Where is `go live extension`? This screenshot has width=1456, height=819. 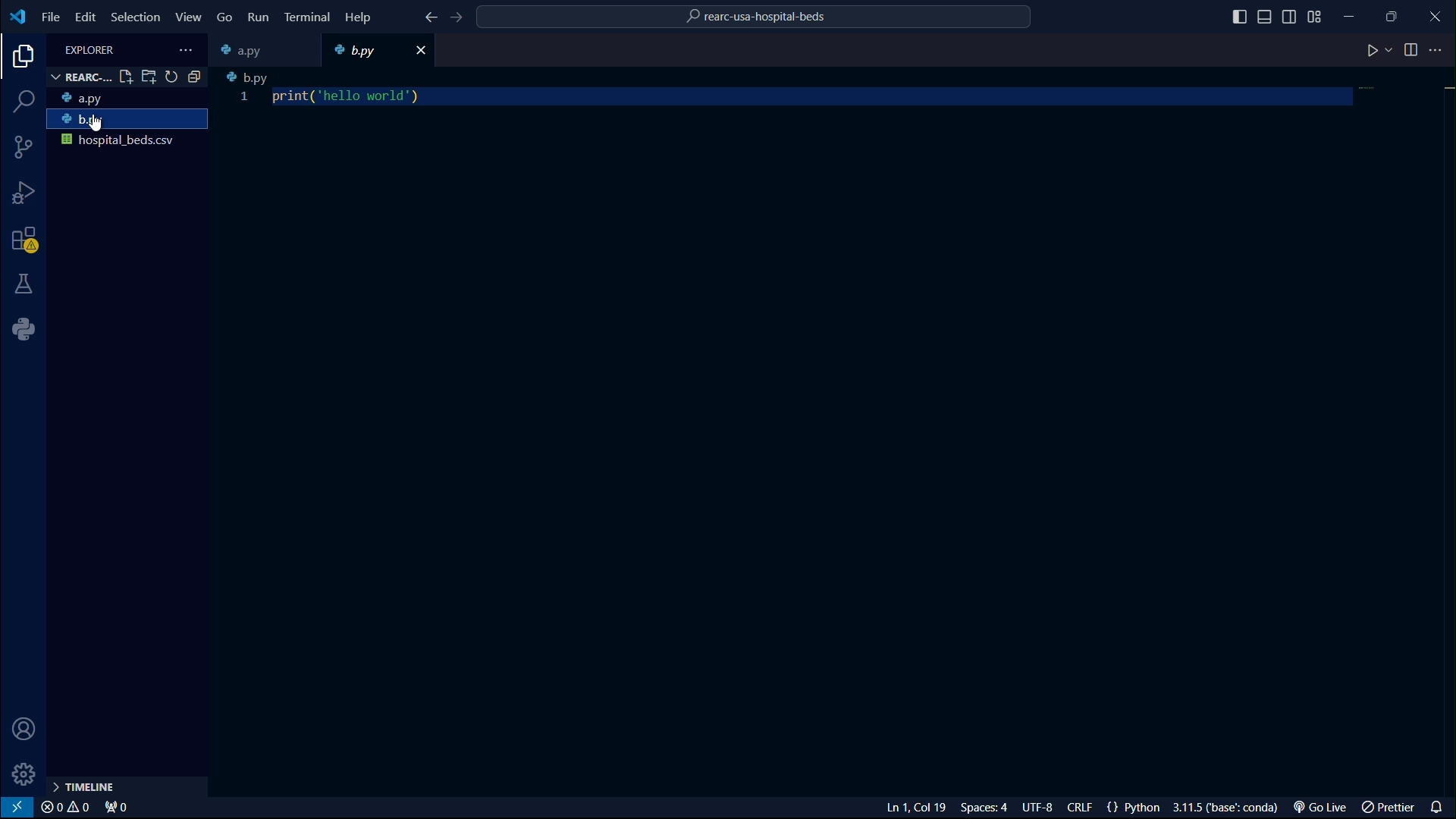 go live extension is located at coordinates (1317, 807).